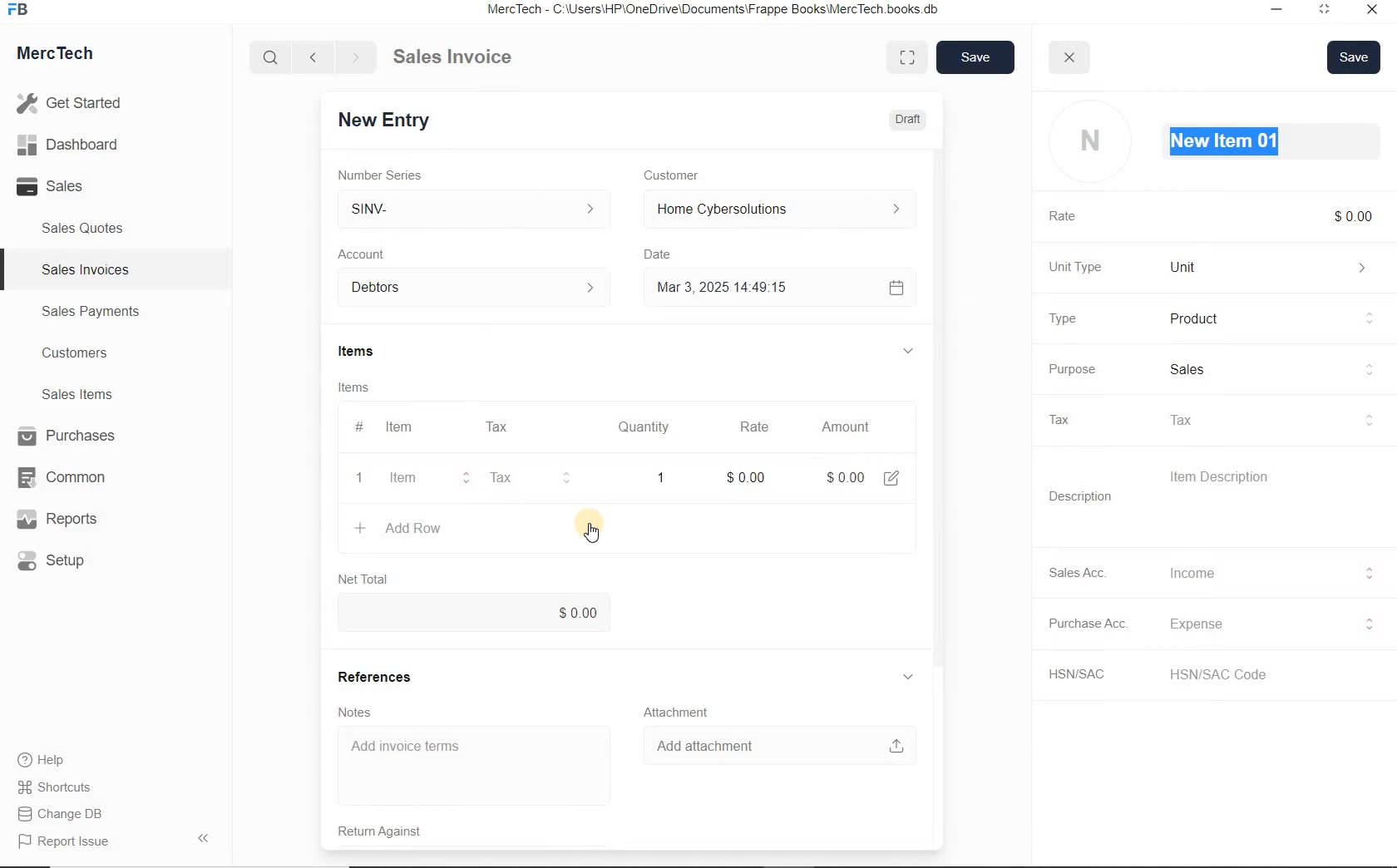 This screenshot has height=868, width=1397. Describe the element at coordinates (390, 173) in the screenshot. I see `Number Series` at that location.